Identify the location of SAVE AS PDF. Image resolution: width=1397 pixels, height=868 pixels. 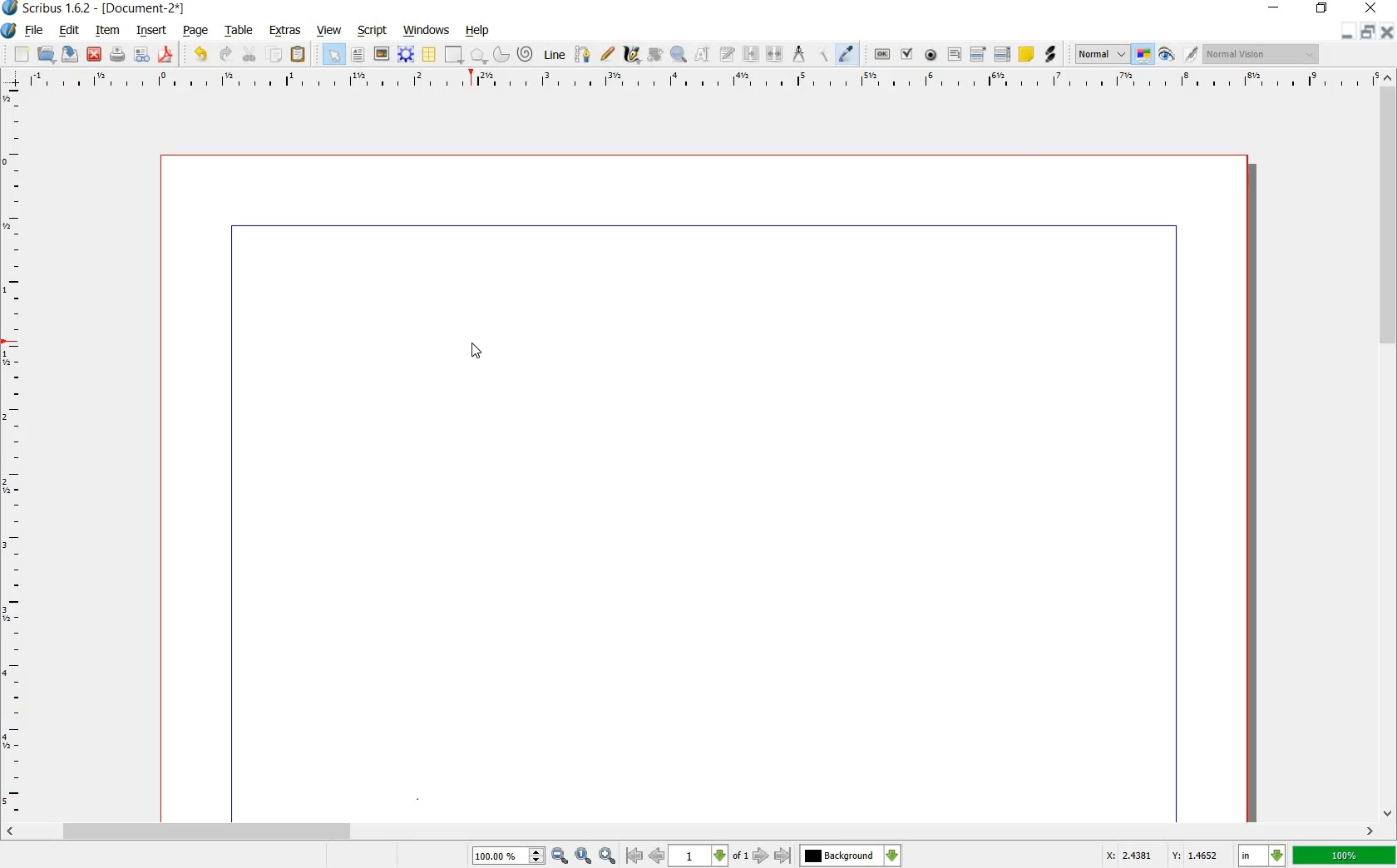
(168, 55).